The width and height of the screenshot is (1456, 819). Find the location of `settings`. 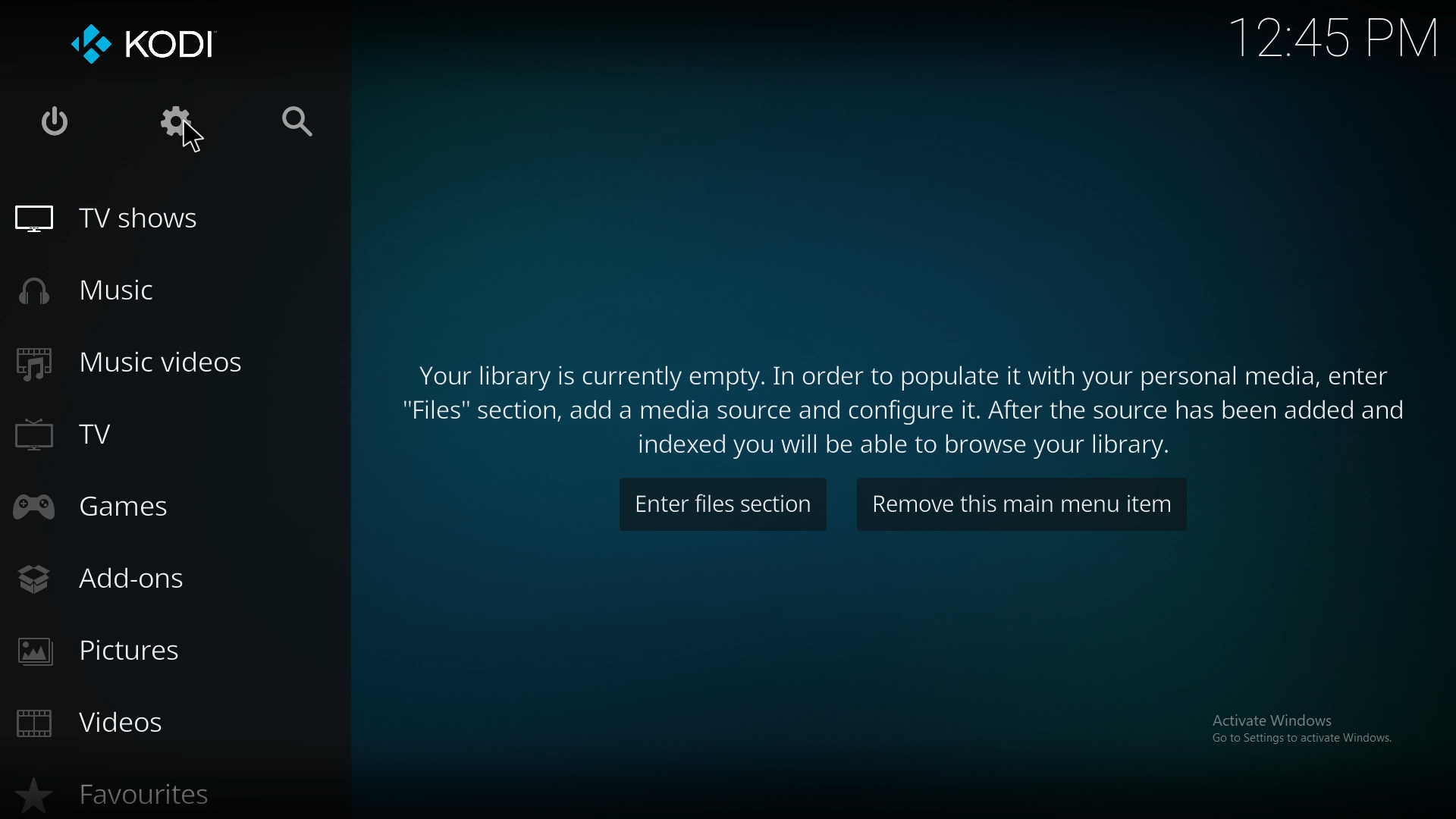

settings is located at coordinates (176, 120).